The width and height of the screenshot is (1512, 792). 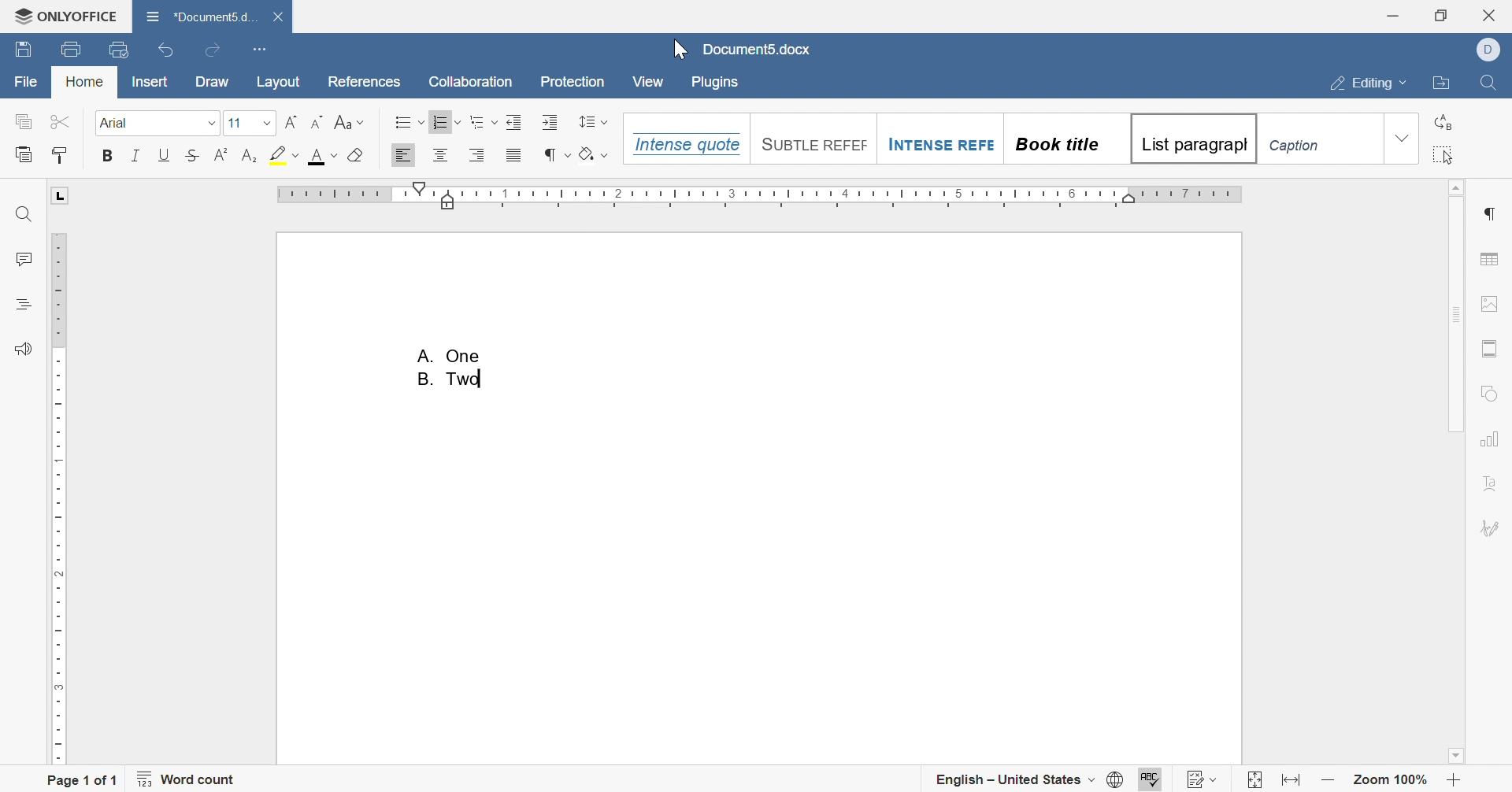 I want to click on copy, so click(x=24, y=121).